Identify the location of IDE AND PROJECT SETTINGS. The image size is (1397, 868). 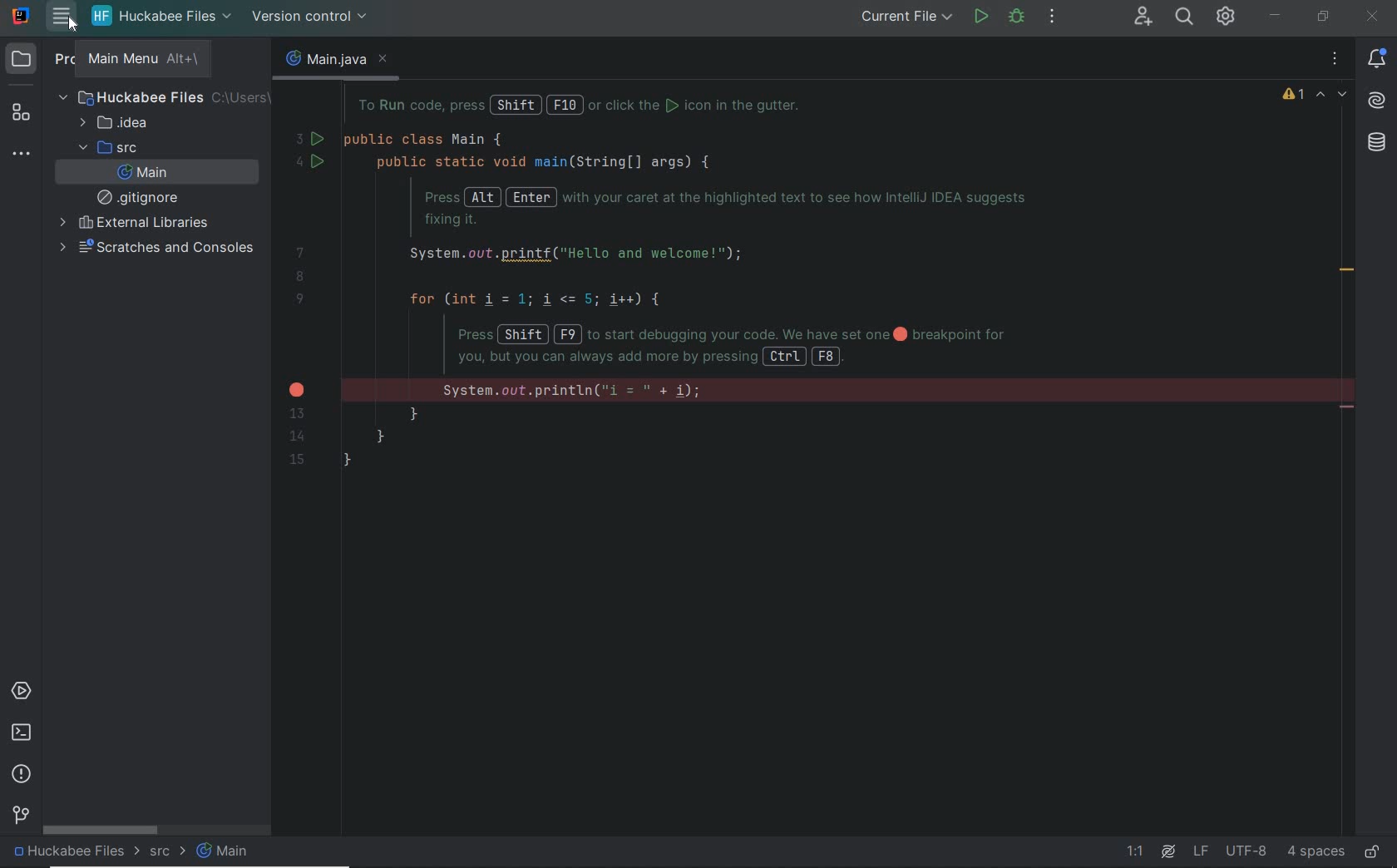
(1227, 17).